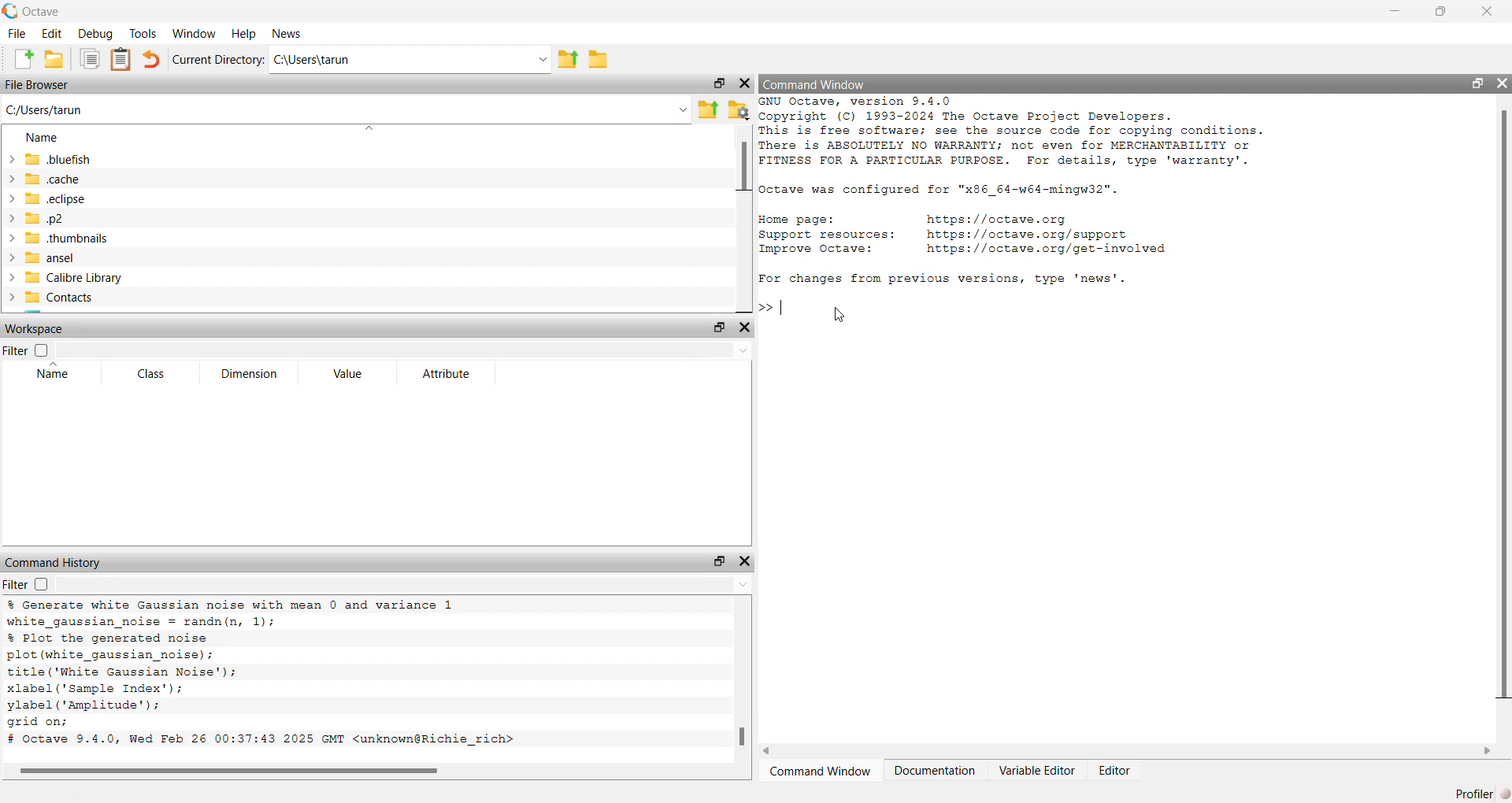  Describe the element at coordinates (747, 561) in the screenshot. I see `close` at that location.